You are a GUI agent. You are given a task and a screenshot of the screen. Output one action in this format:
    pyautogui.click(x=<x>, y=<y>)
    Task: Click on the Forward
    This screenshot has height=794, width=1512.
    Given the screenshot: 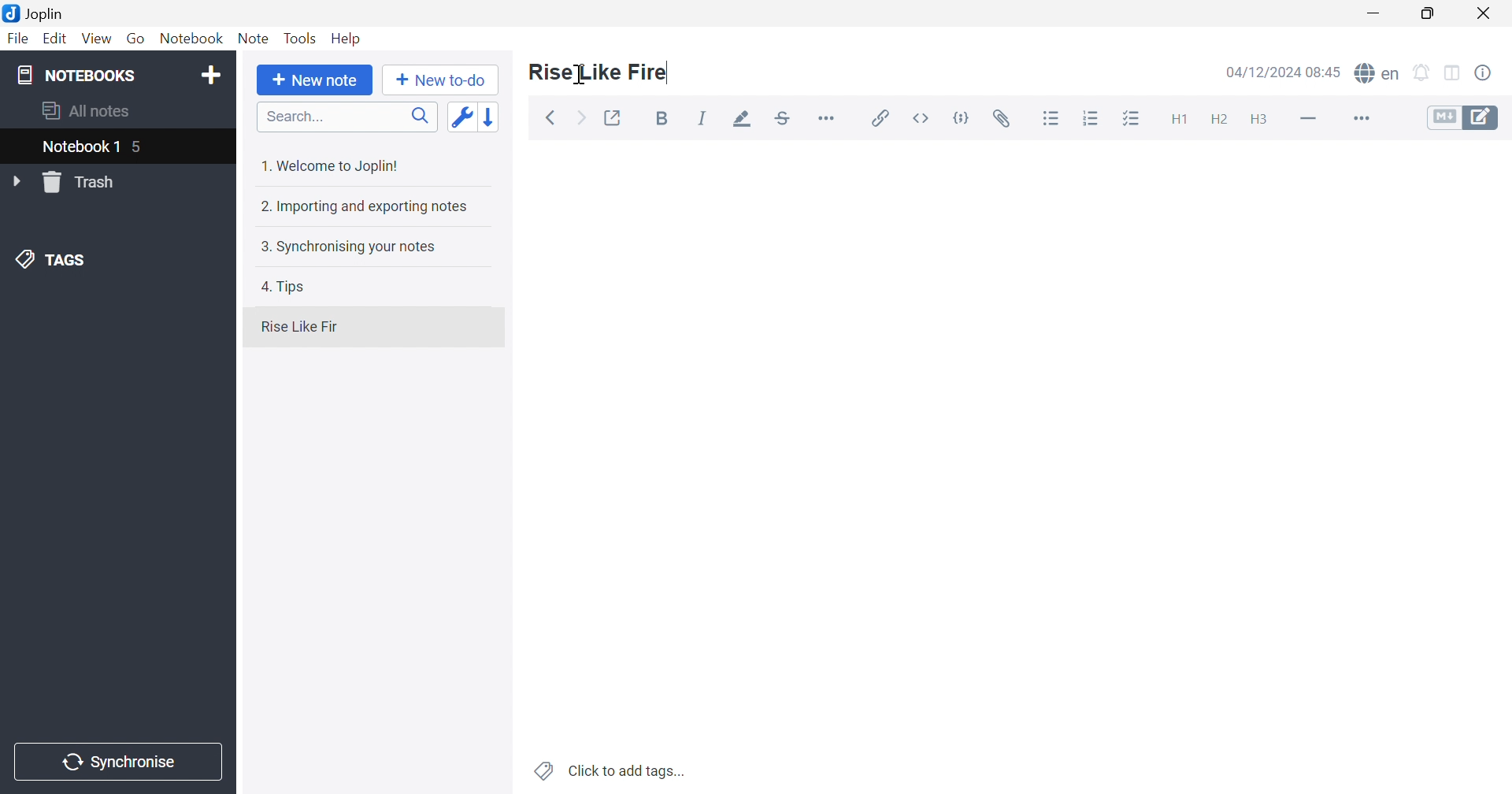 What is the action you would take?
    pyautogui.click(x=580, y=117)
    